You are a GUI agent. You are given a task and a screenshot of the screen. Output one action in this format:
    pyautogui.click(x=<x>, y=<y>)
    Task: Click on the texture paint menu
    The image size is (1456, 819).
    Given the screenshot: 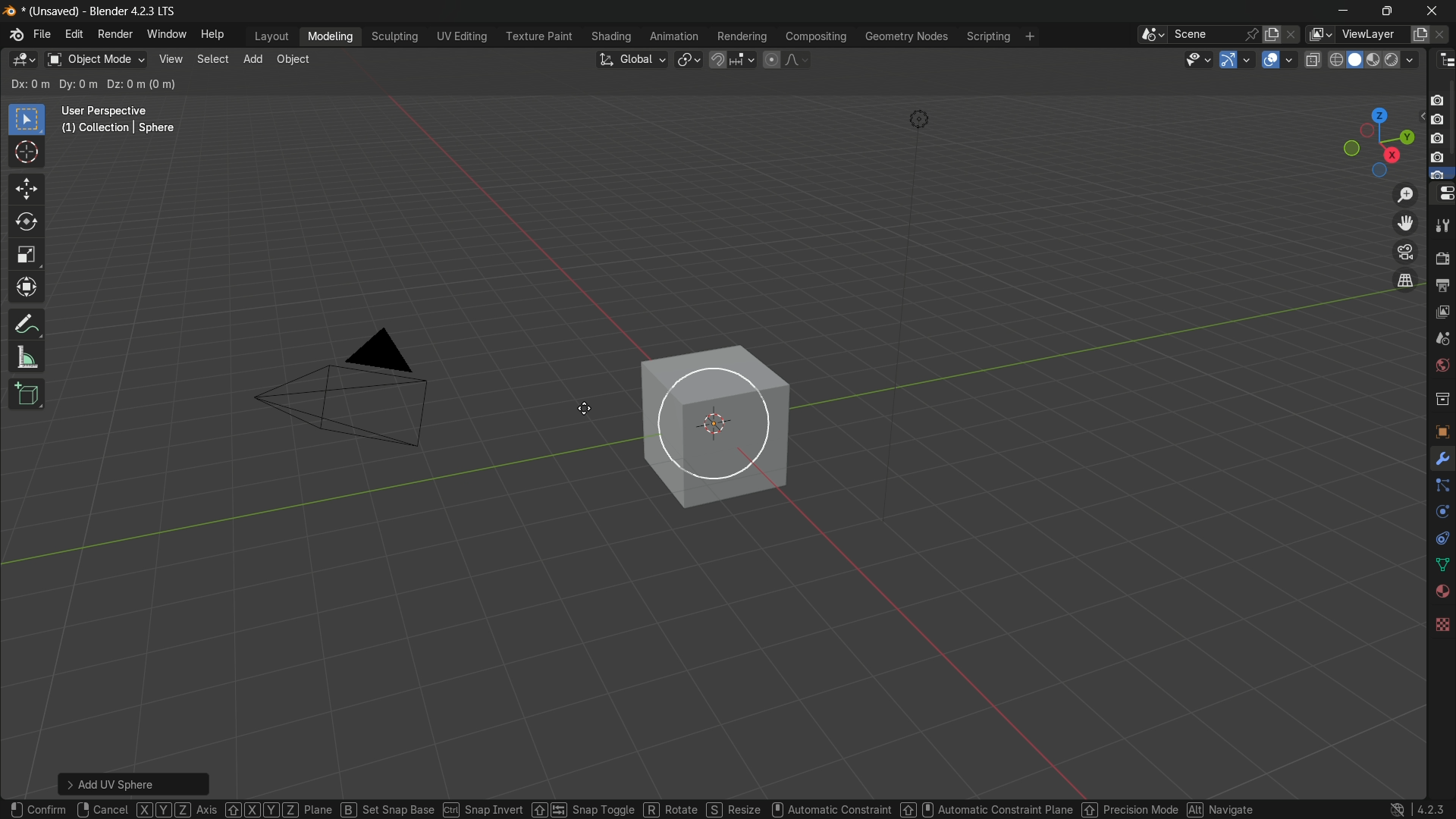 What is the action you would take?
    pyautogui.click(x=538, y=38)
    